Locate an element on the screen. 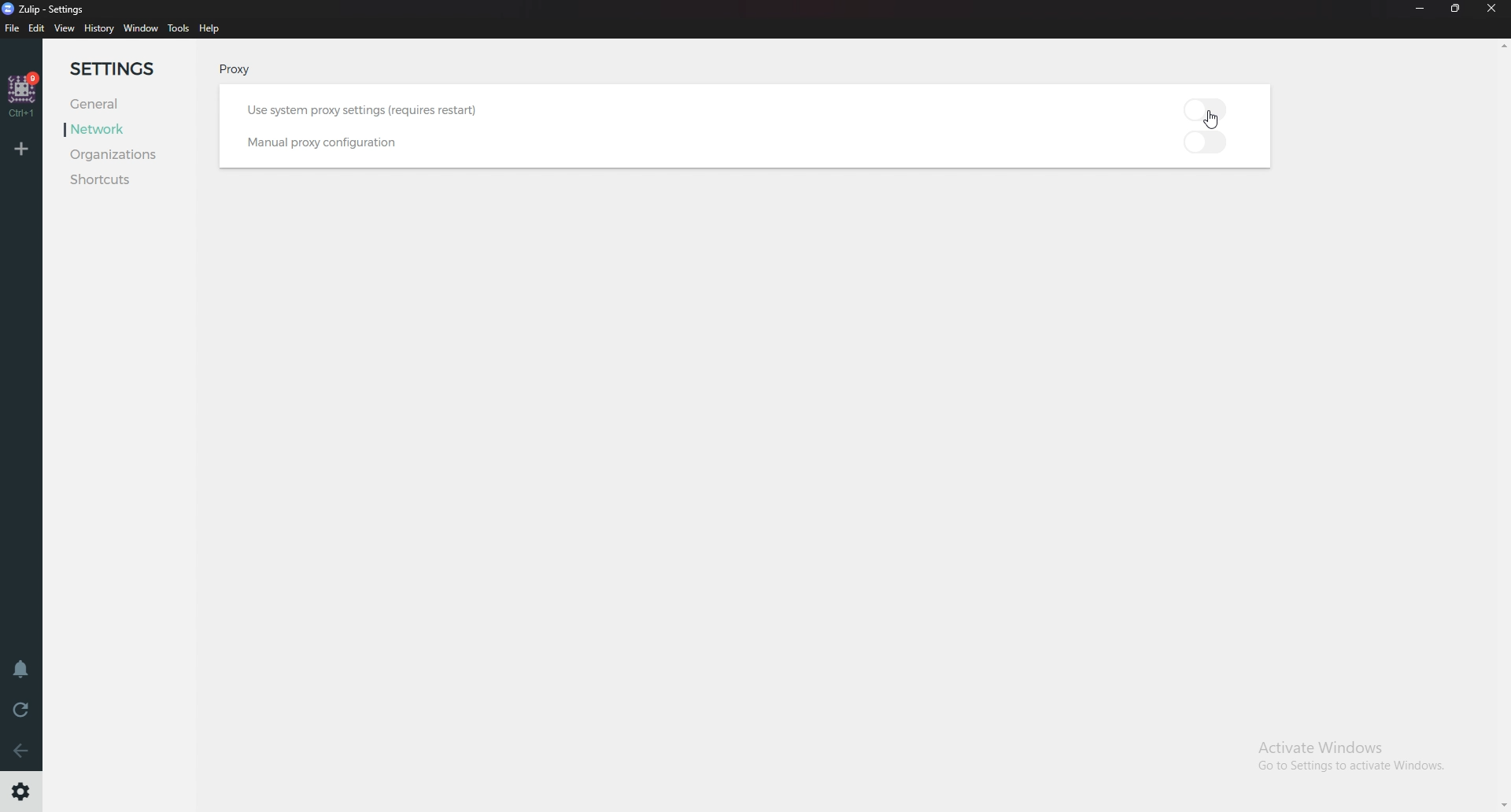 The image size is (1511, 812). edit is located at coordinates (37, 28).